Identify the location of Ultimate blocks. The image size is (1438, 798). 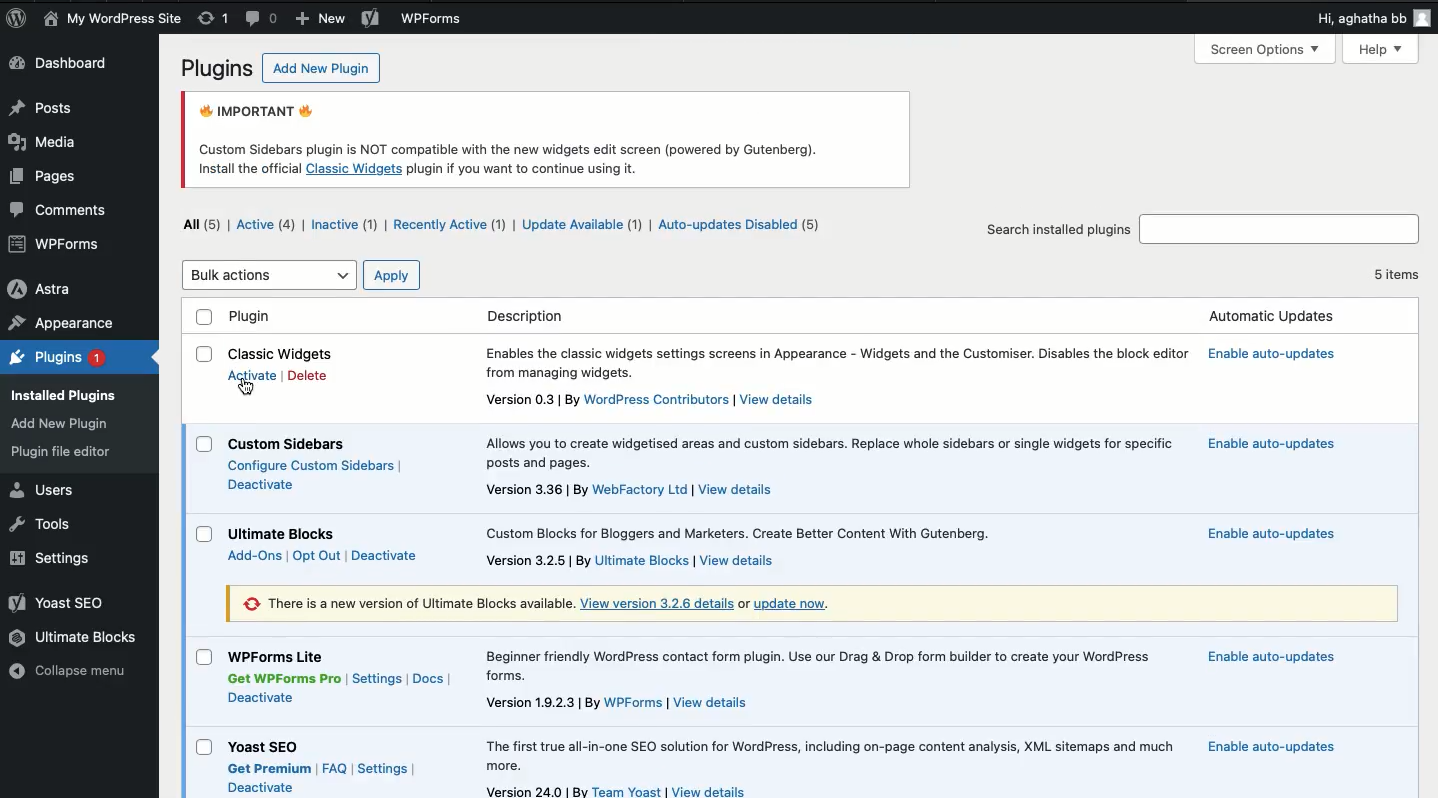
(75, 638).